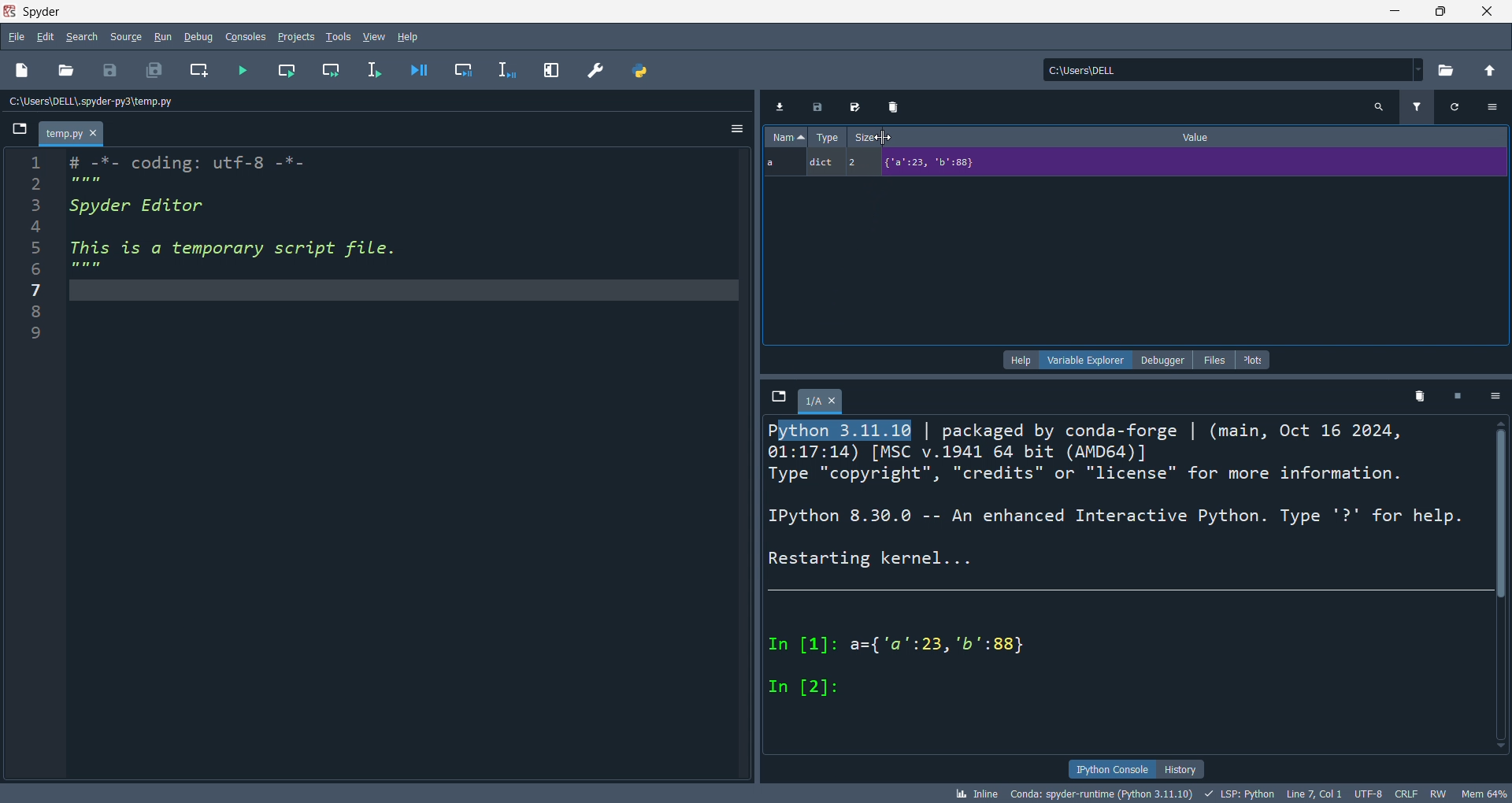 The height and width of the screenshot is (803, 1512). What do you see at coordinates (413, 35) in the screenshot?
I see `help` at bounding box center [413, 35].